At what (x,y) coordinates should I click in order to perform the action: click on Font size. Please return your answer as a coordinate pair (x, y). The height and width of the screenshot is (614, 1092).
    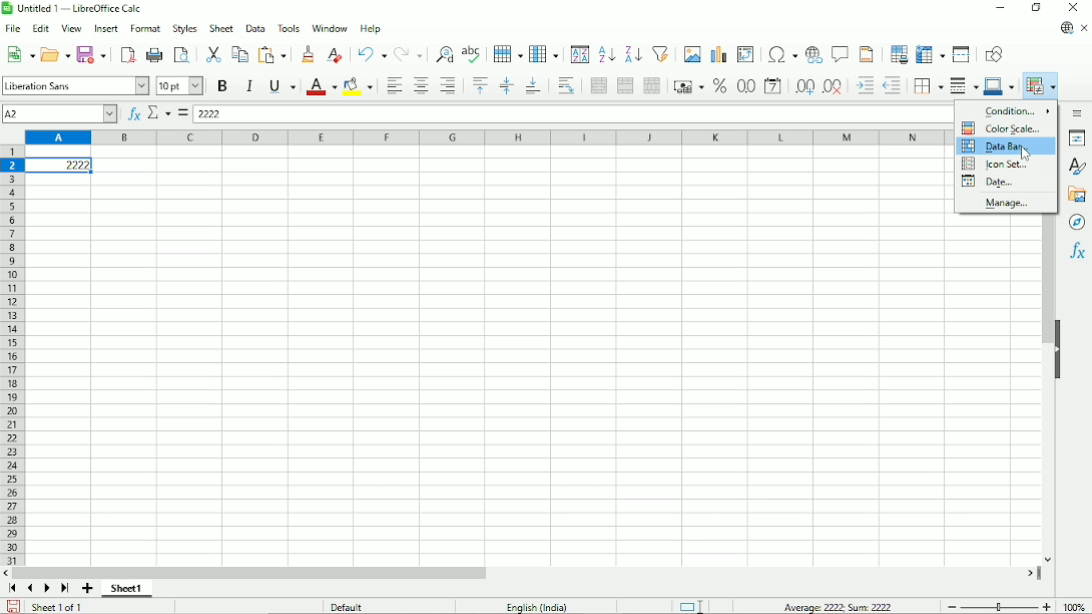
    Looking at the image, I should click on (180, 87).